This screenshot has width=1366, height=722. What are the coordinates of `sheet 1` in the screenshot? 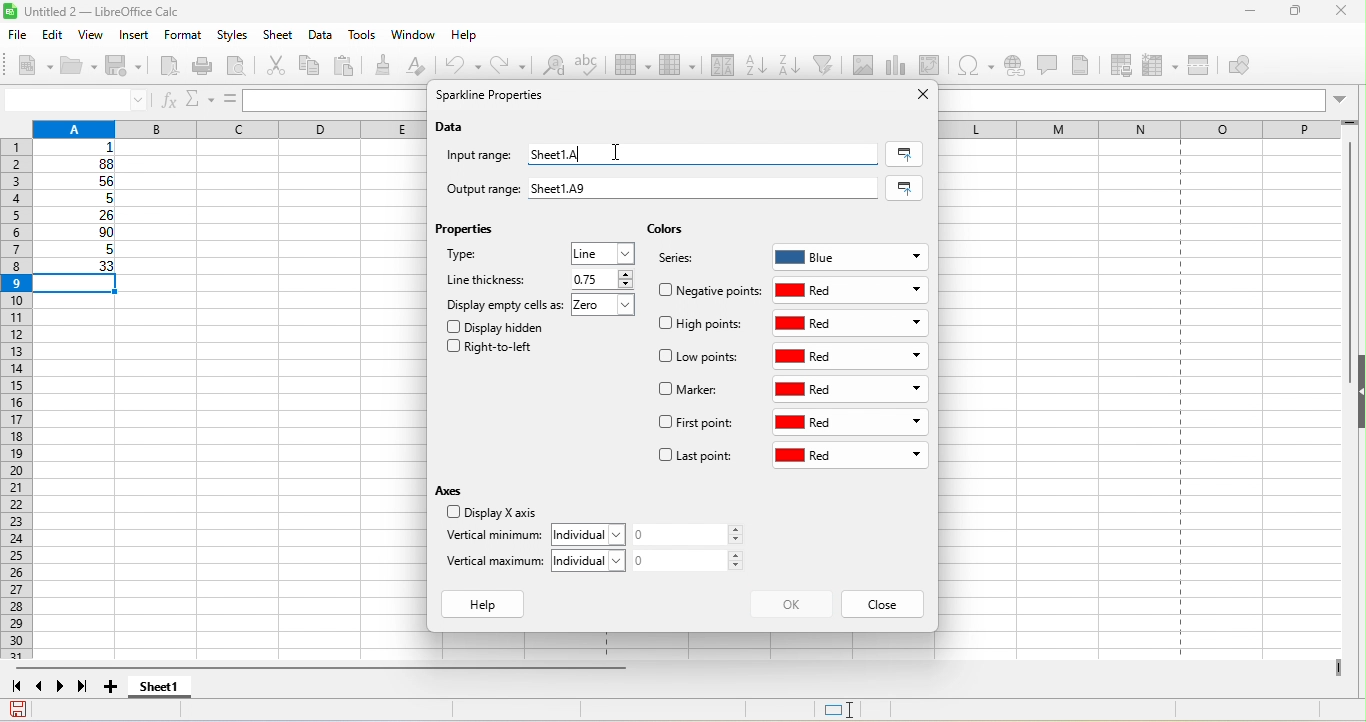 It's located at (176, 689).